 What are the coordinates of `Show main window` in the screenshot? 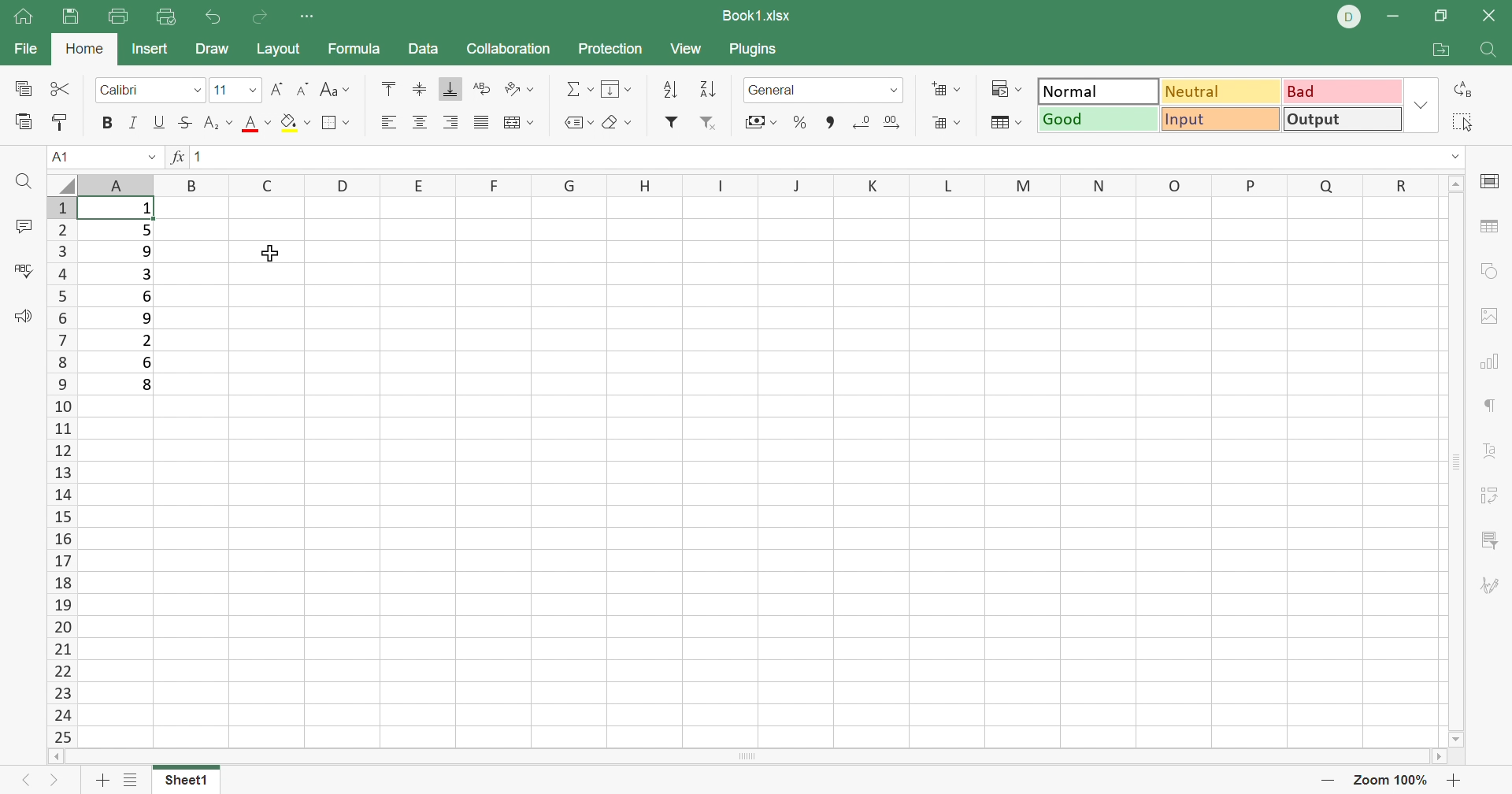 It's located at (21, 15).